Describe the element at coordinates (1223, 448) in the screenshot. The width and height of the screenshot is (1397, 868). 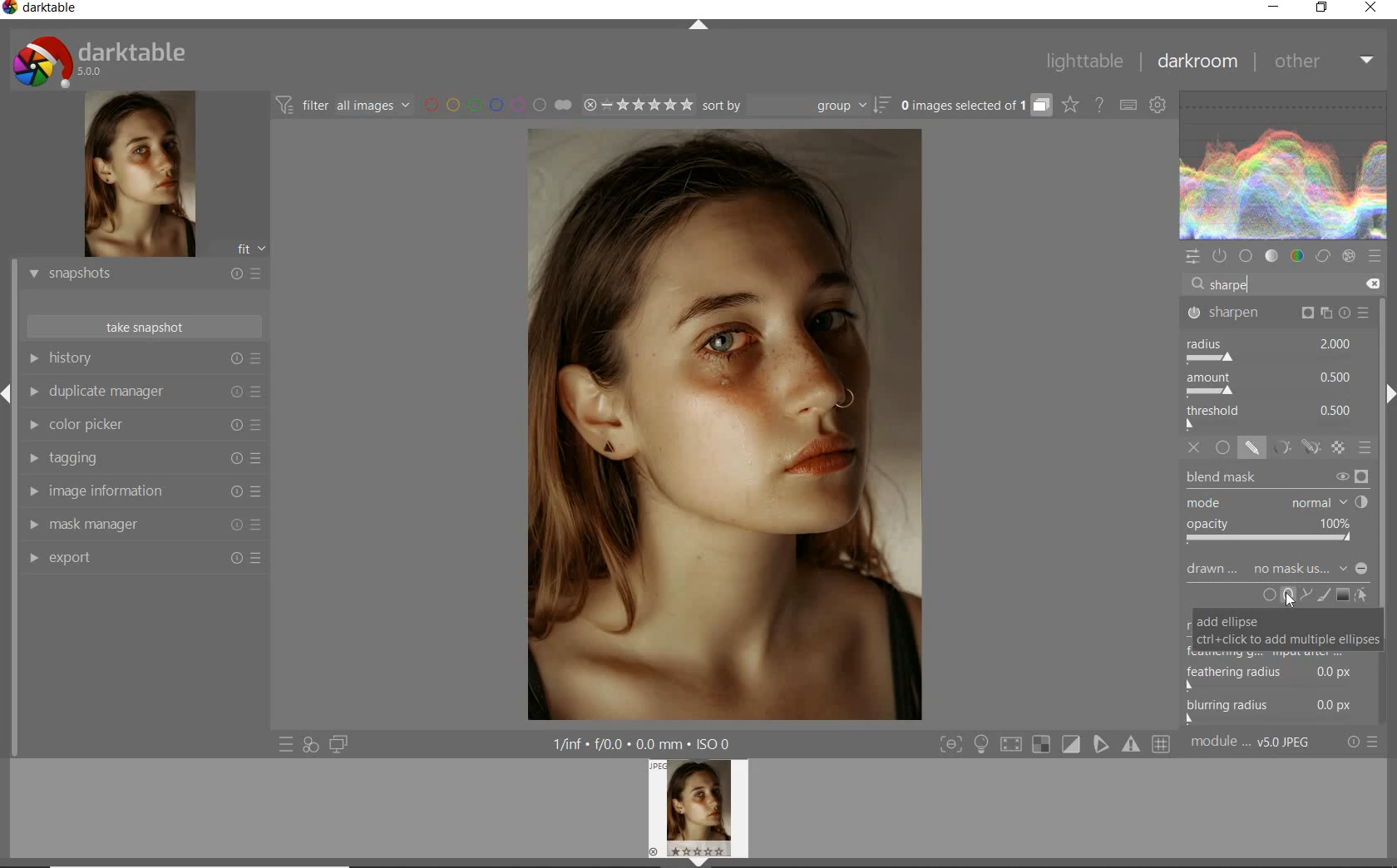
I see `UNIFORMLY` at that location.